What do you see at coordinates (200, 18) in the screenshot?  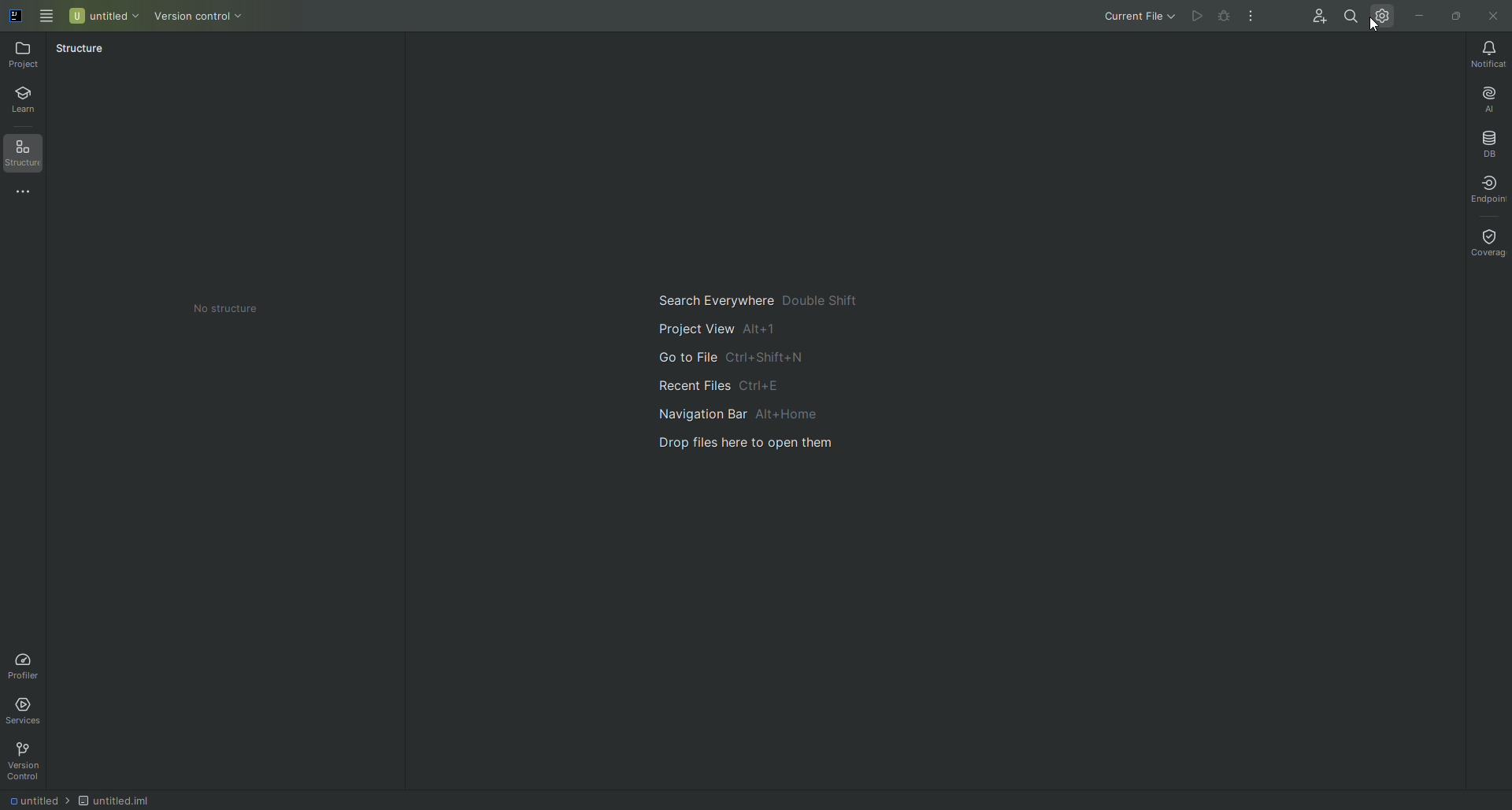 I see `Version control` at bounding box center [200, 18].